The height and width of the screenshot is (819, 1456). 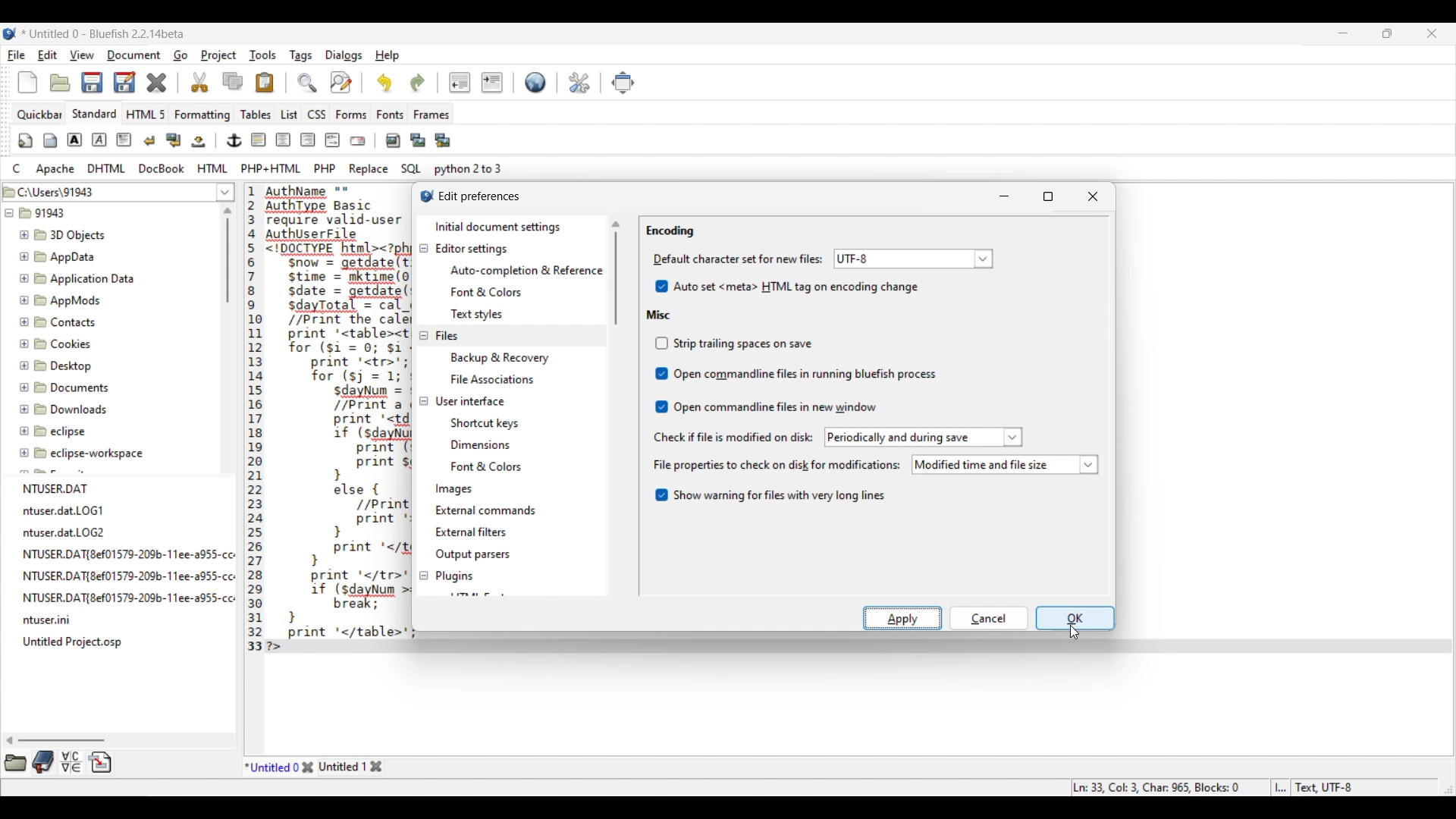 What do you see at coordinates (432, 115) in the screenshot?
I see `Frames` at bounding box center [432, 115].